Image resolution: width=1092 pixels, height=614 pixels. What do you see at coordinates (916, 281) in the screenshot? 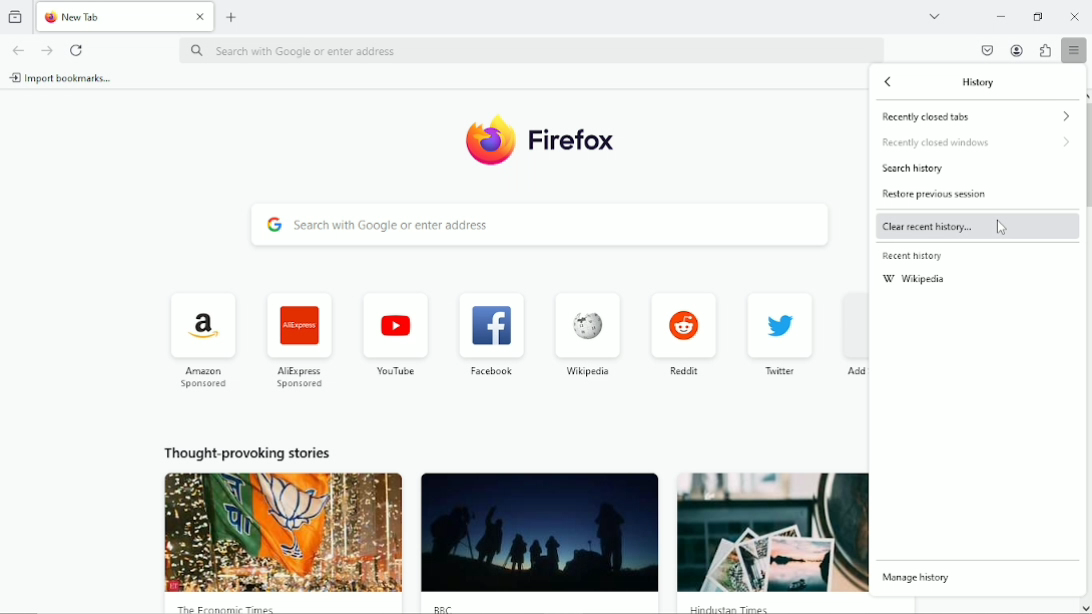
I see `Wikipedia` at bounding box center [916, 281].